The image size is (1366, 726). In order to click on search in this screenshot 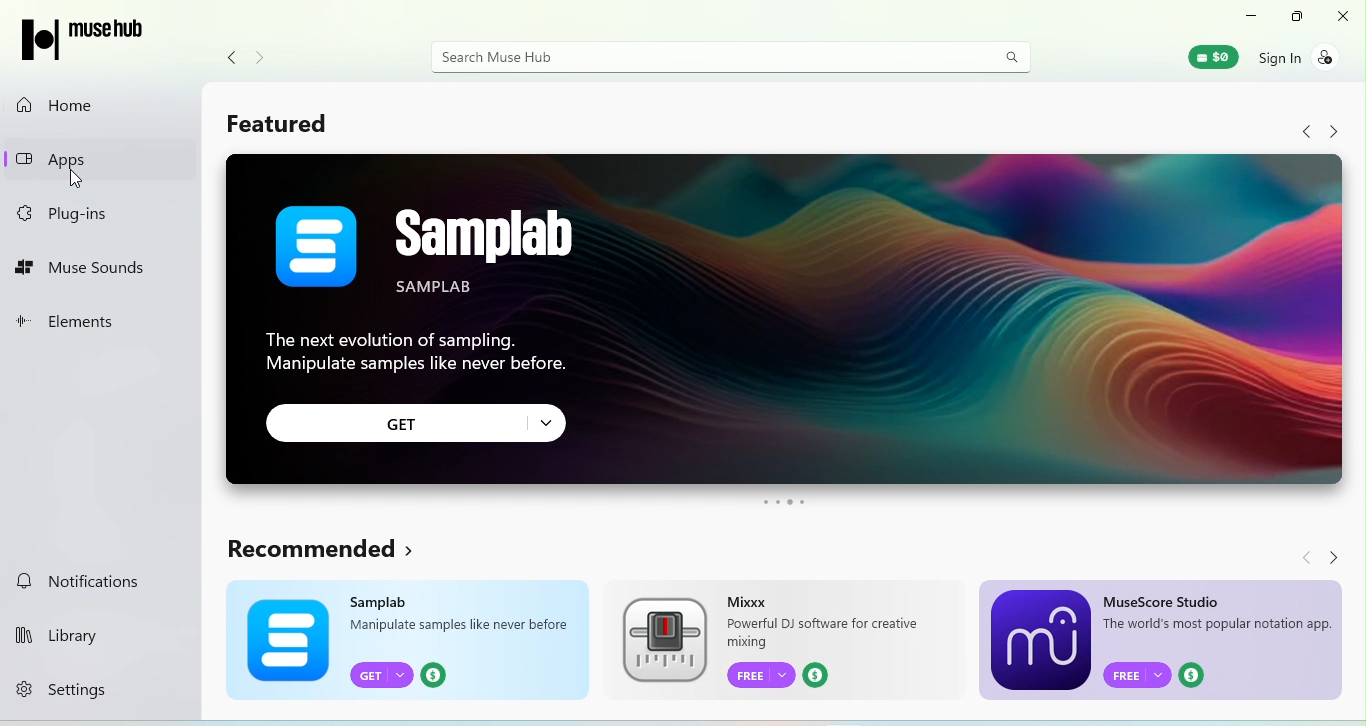, I will do `click(1012, 55)`.